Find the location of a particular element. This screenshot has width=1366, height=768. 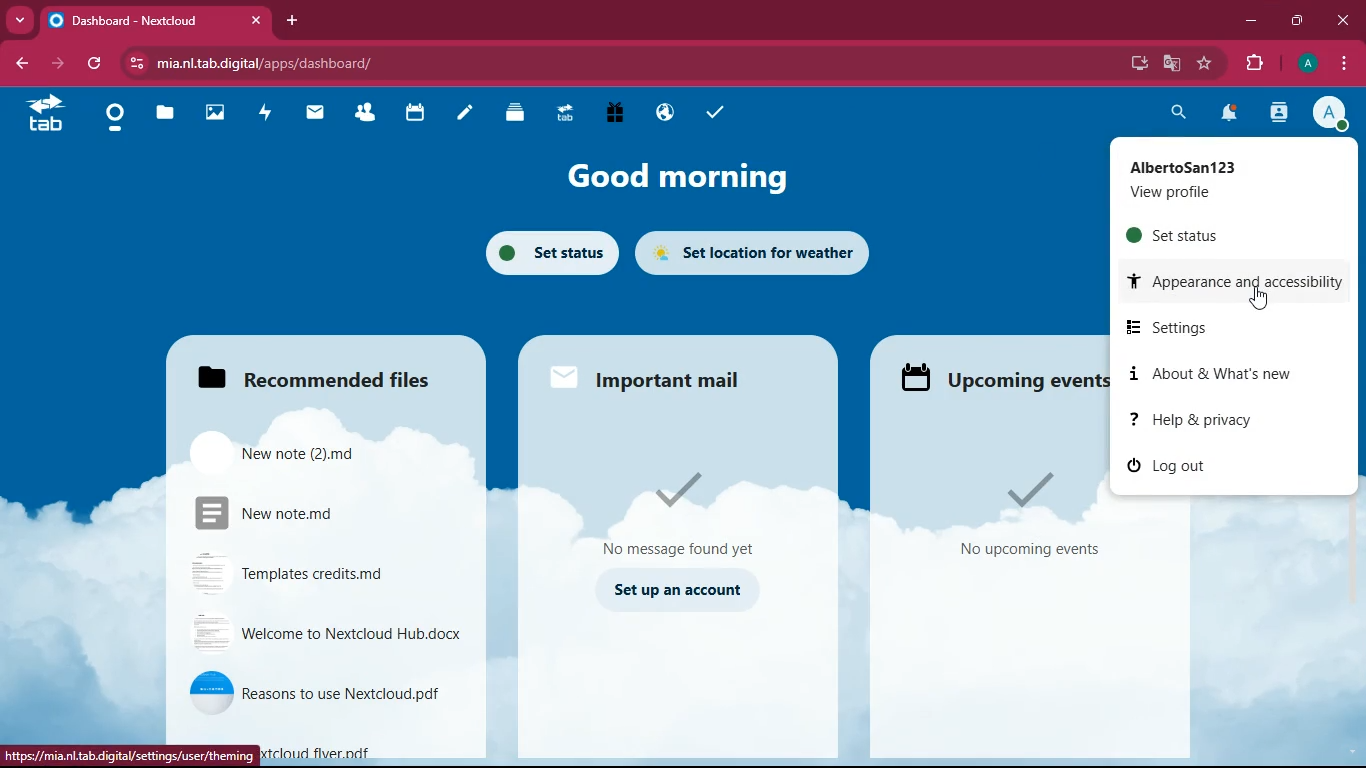

url is located at coordinates (133, 754).